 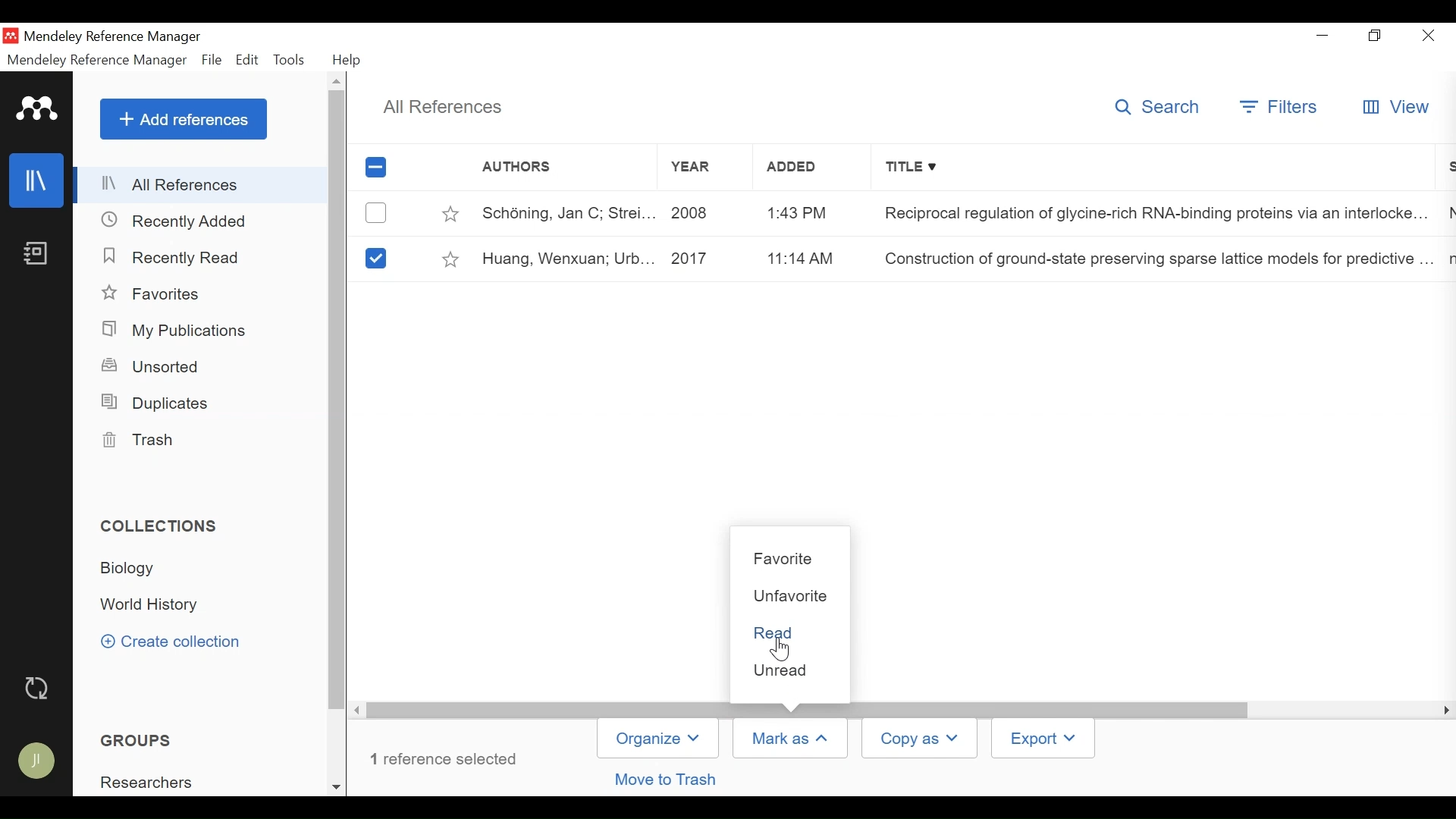 What do you see at coordinates (1377, 36) in the screenshot?
I see `Restore` at bounding box center [1377, 36].